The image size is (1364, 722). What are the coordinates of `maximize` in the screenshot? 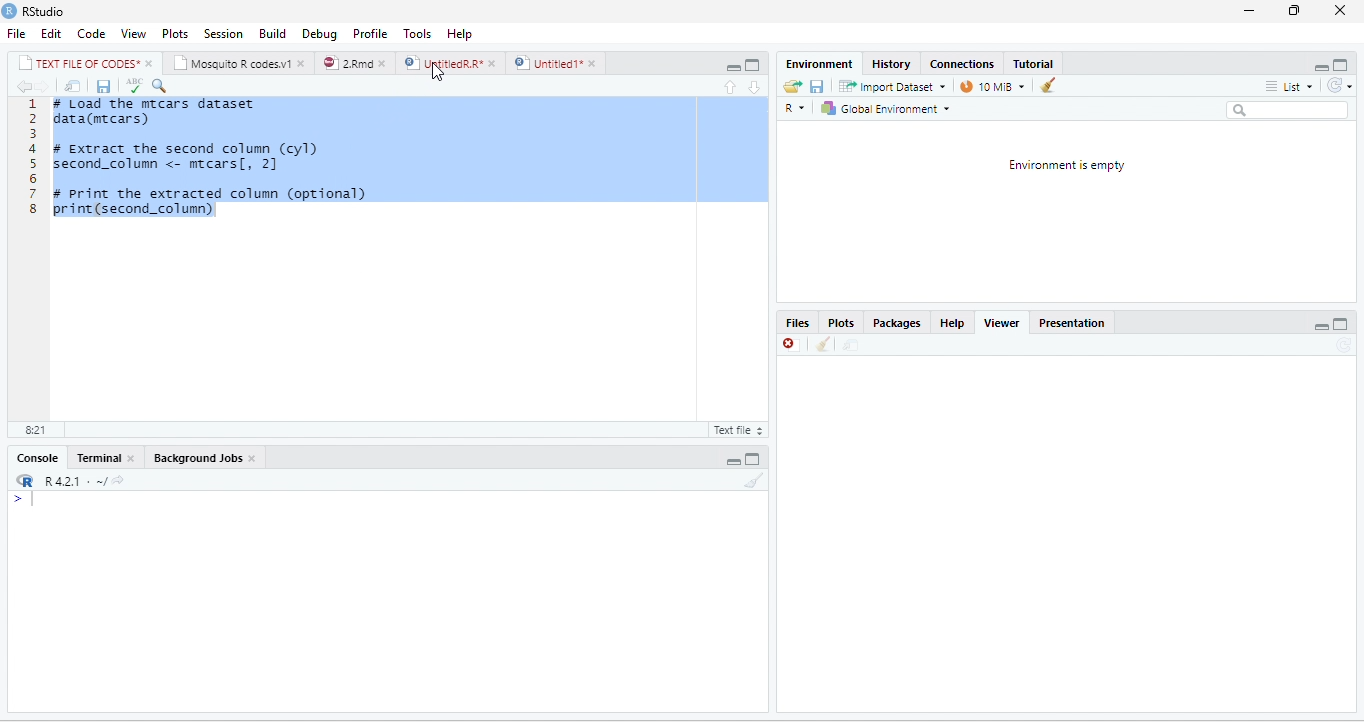 It's located at (735, 64).